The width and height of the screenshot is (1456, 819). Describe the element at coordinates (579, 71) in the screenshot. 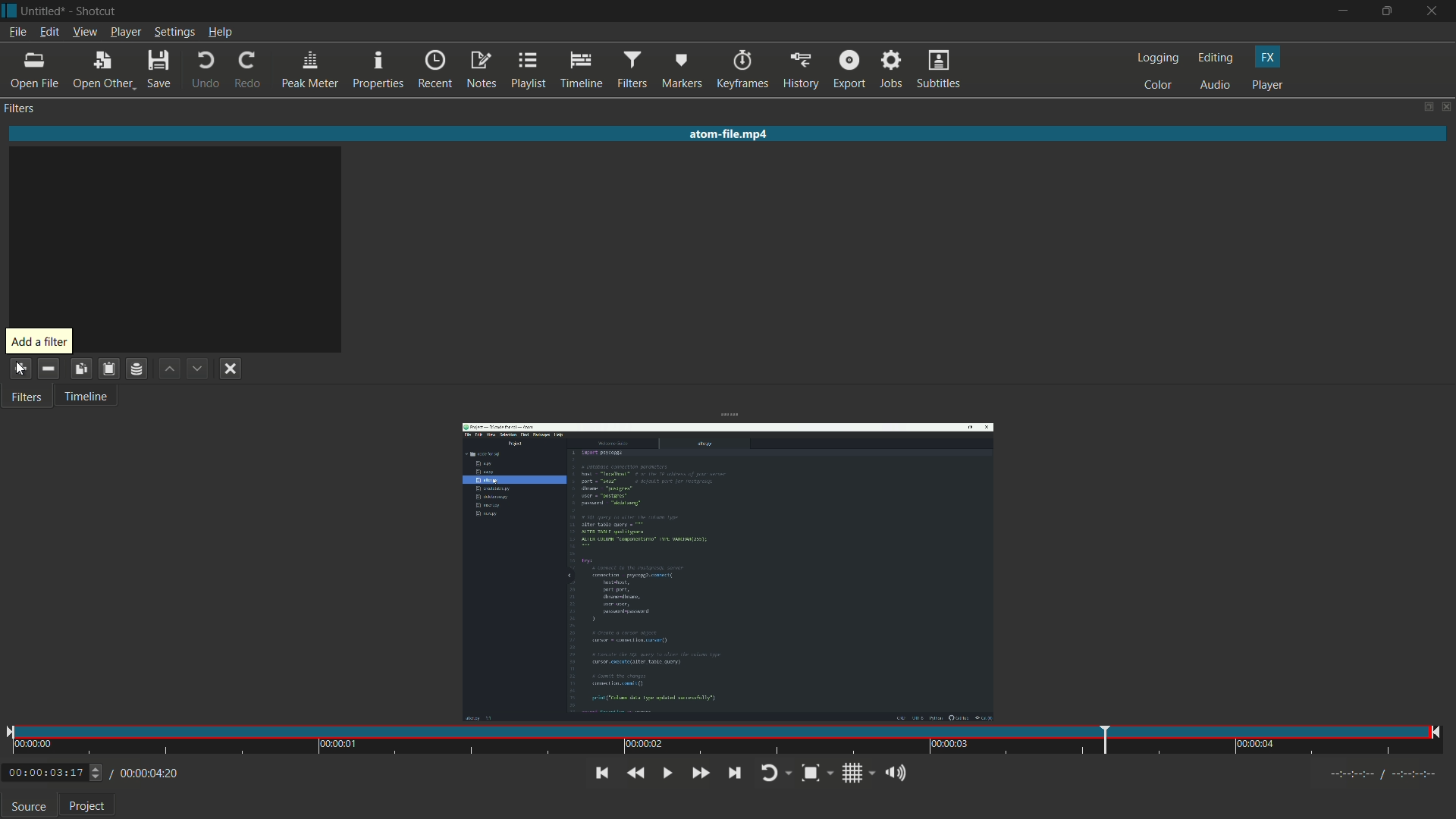

I see `timeline` at that location.